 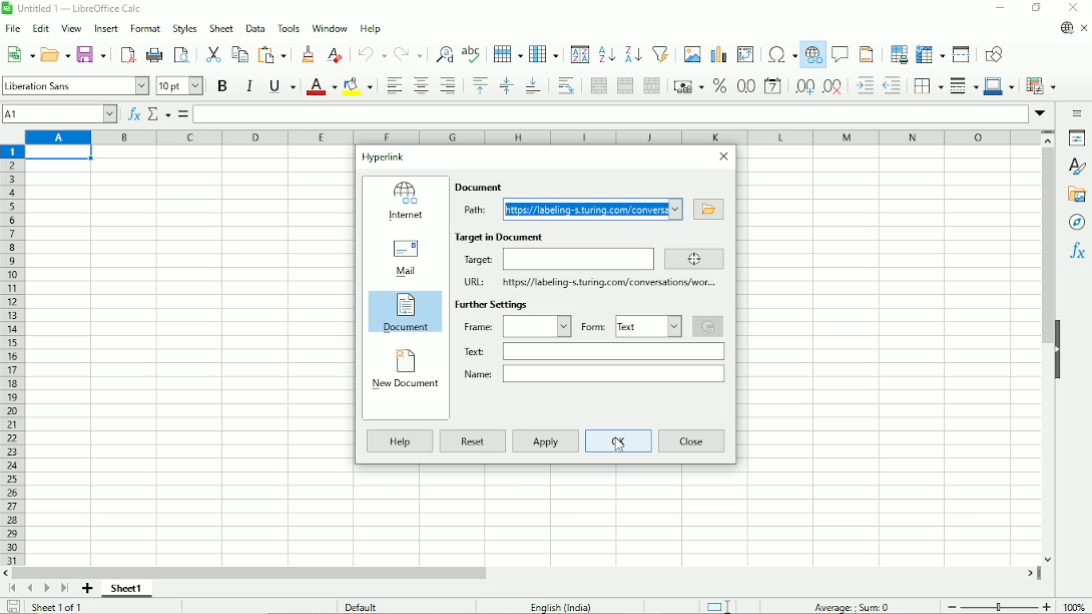 What do you see at coordinates (611, 114) in the screenshot?
I see `Input line` at bounding box center [611, 114].